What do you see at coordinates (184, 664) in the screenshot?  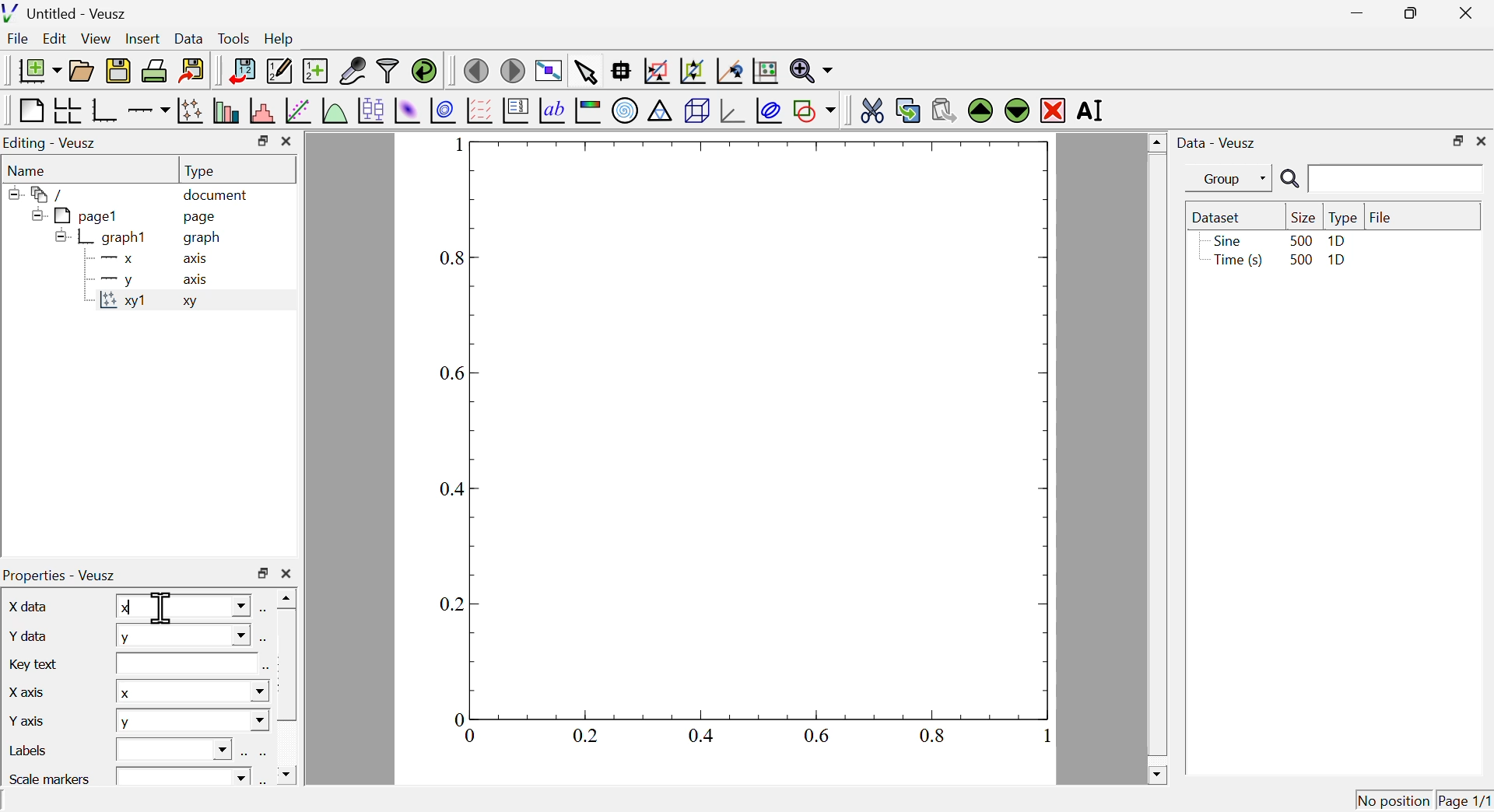 I see `text box` at bounding box center [184, 664].